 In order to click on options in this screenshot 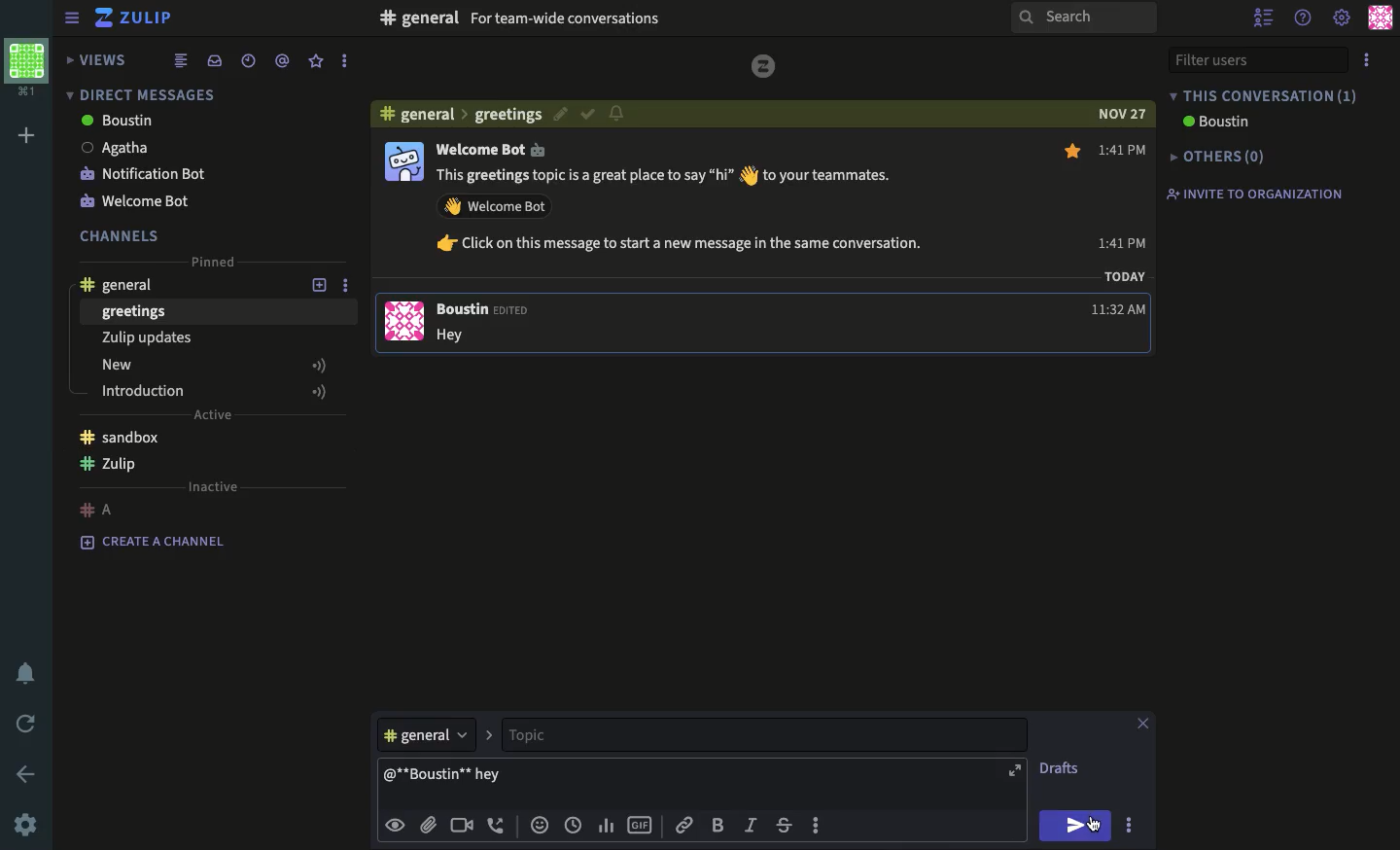, I will do `click(341, 61)`.